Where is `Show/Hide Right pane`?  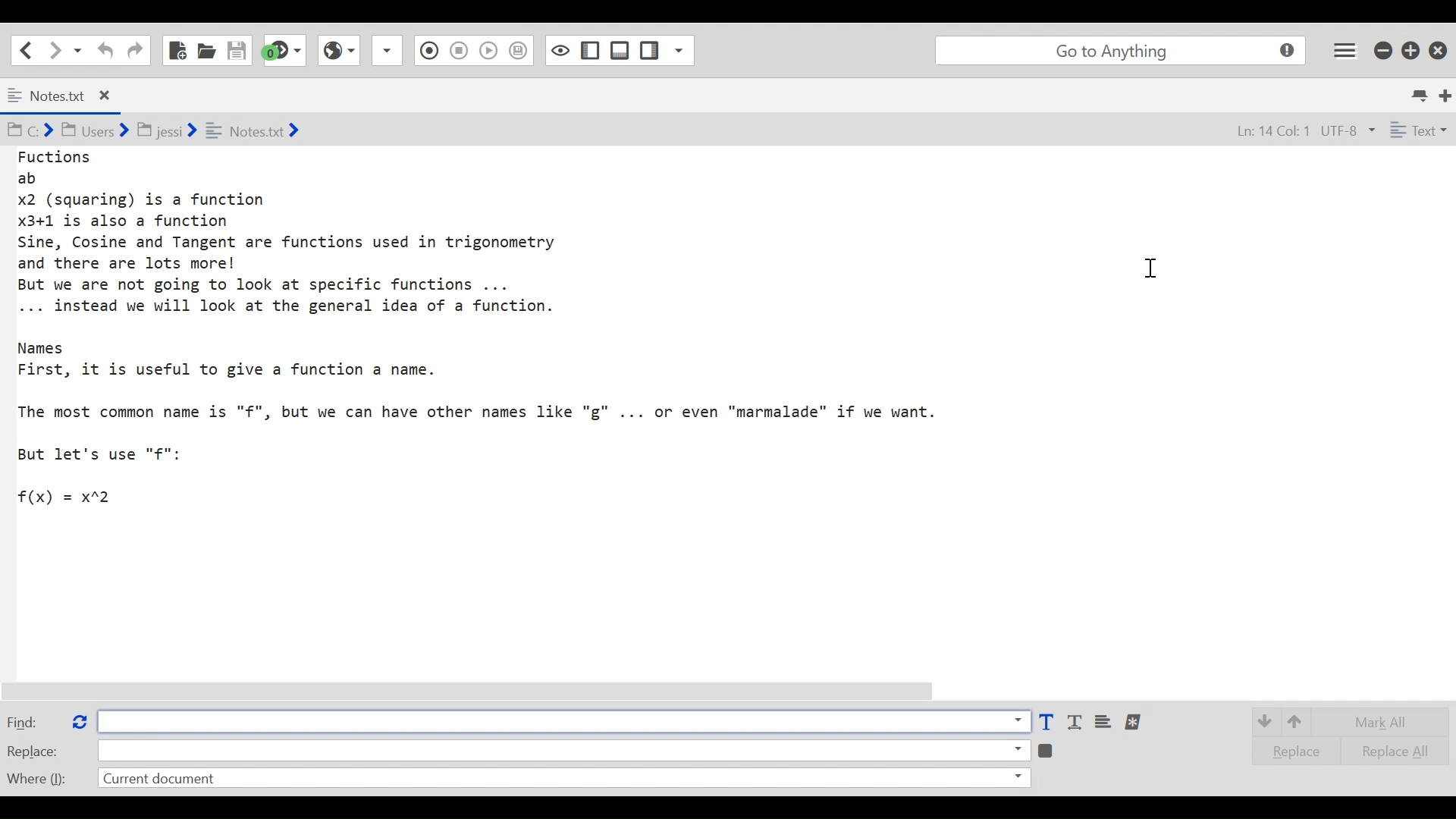
Show/Hide Right pane is located at coordinates (559, 49).